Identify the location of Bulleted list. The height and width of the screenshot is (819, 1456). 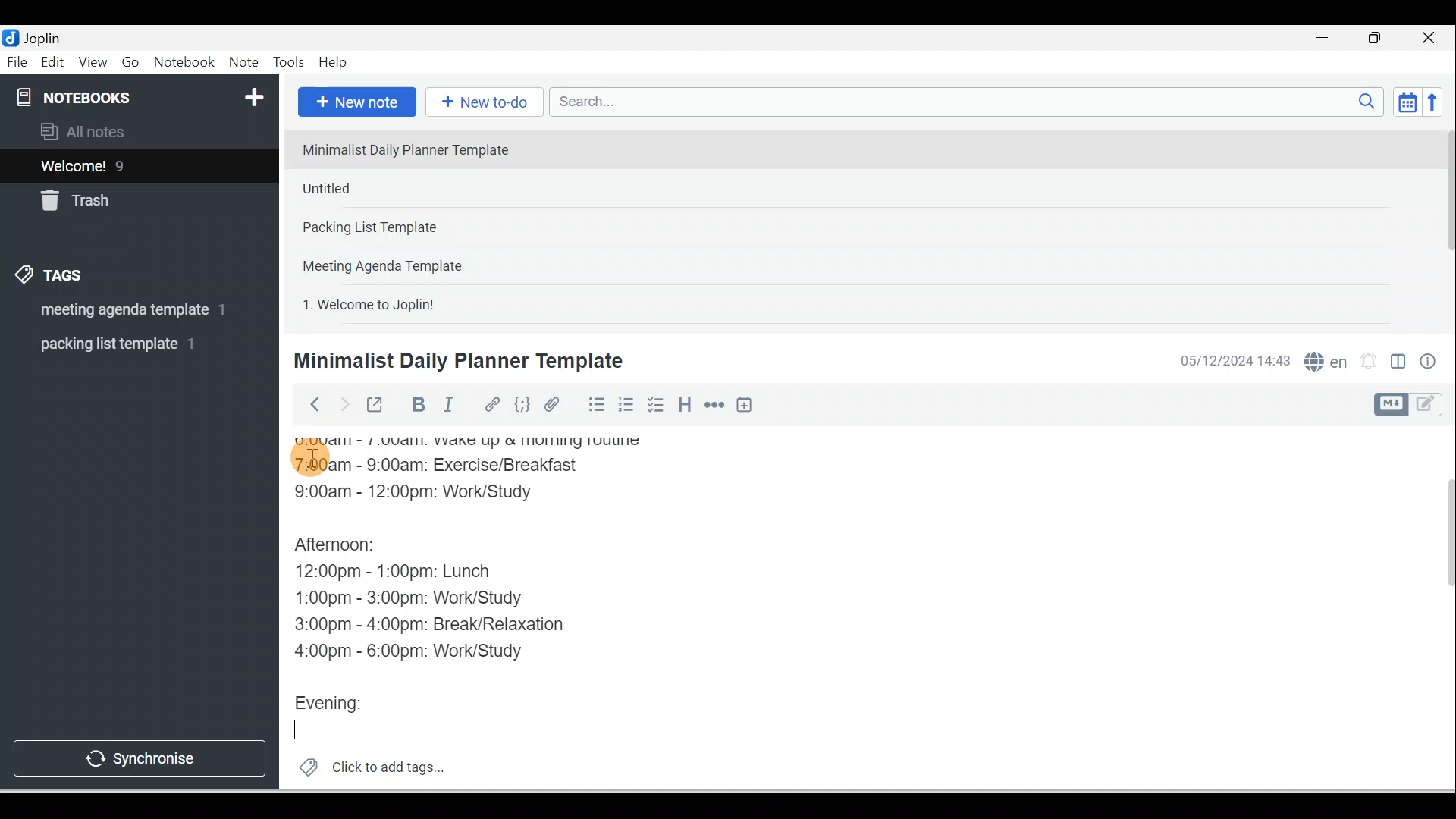
(593, 404).